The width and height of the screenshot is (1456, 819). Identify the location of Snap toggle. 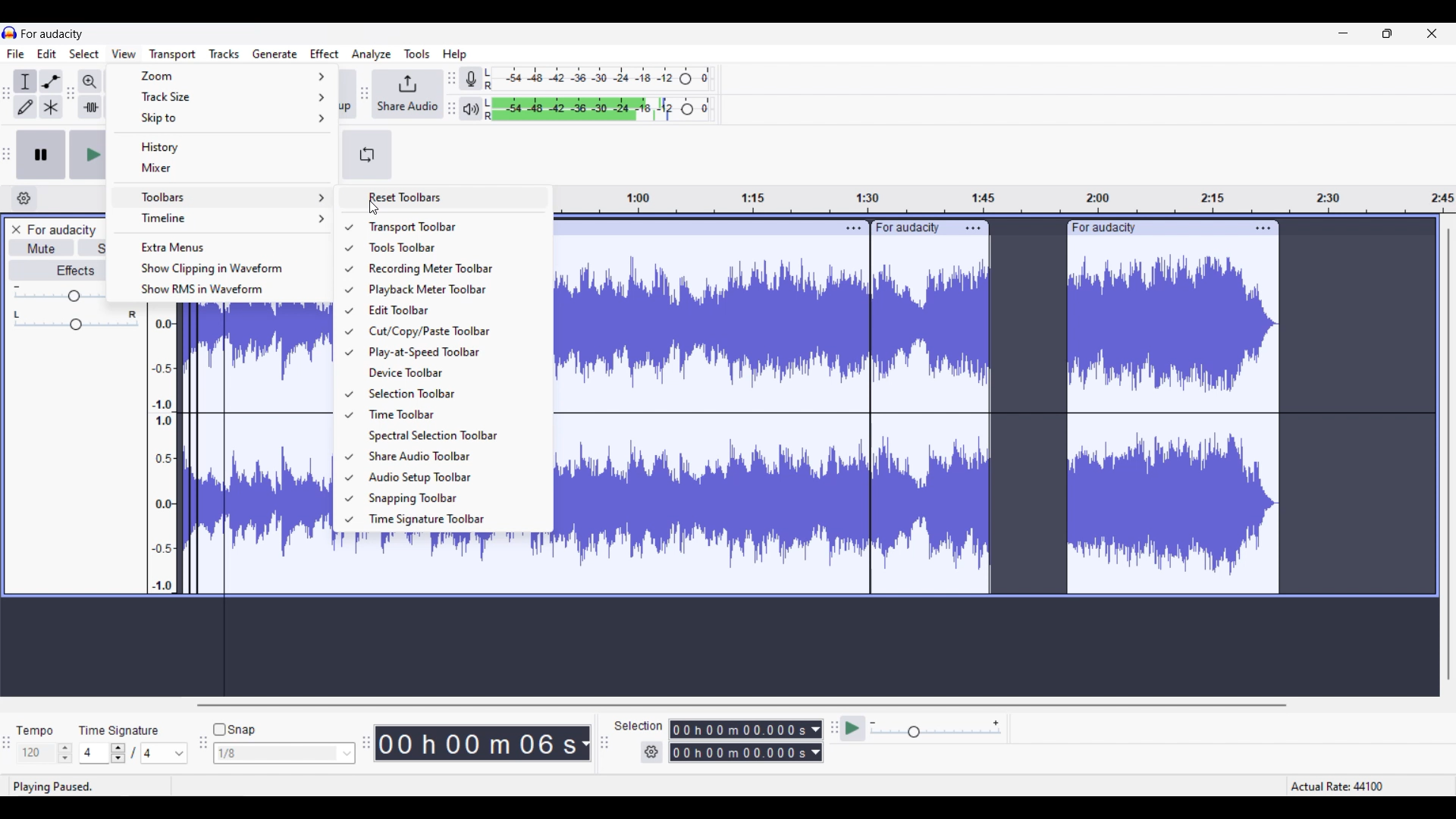
(234, 730).